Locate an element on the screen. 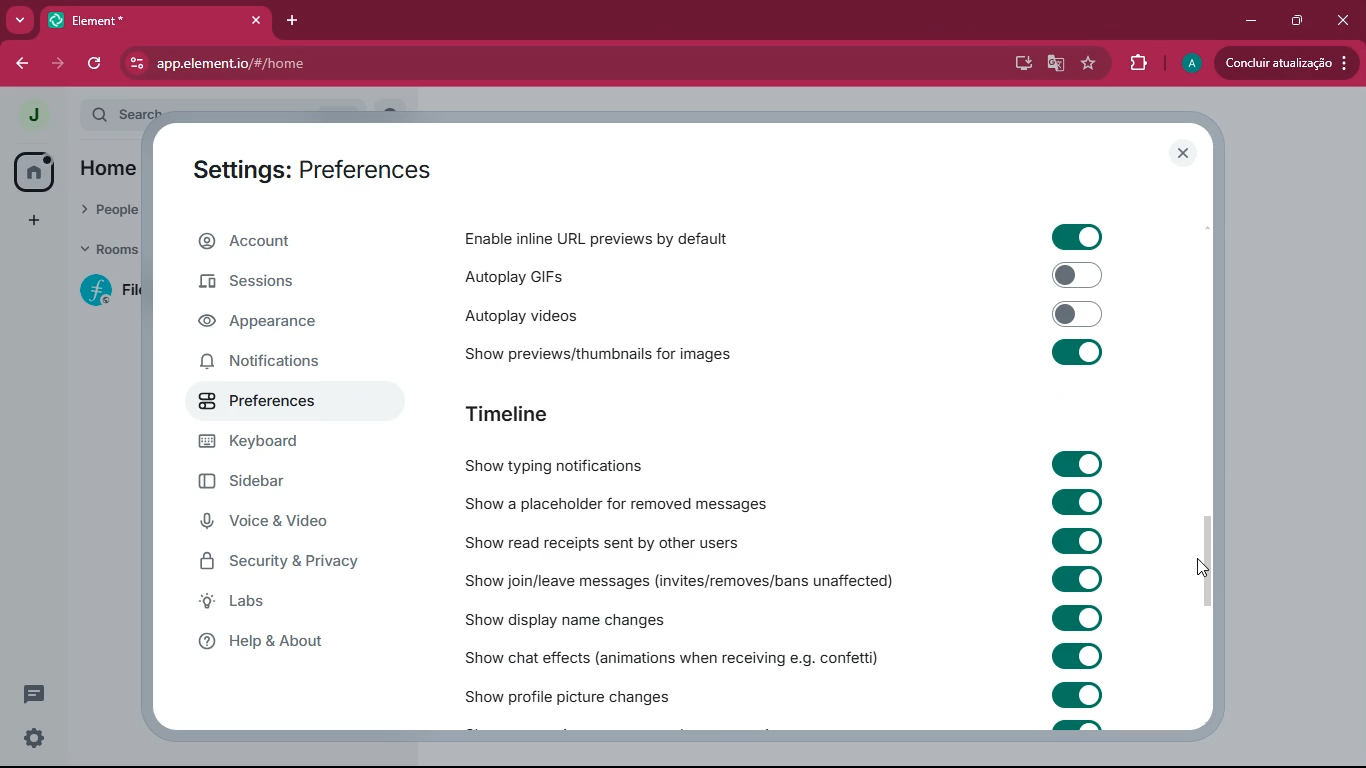  timeline is located at coordinates (539, 415).